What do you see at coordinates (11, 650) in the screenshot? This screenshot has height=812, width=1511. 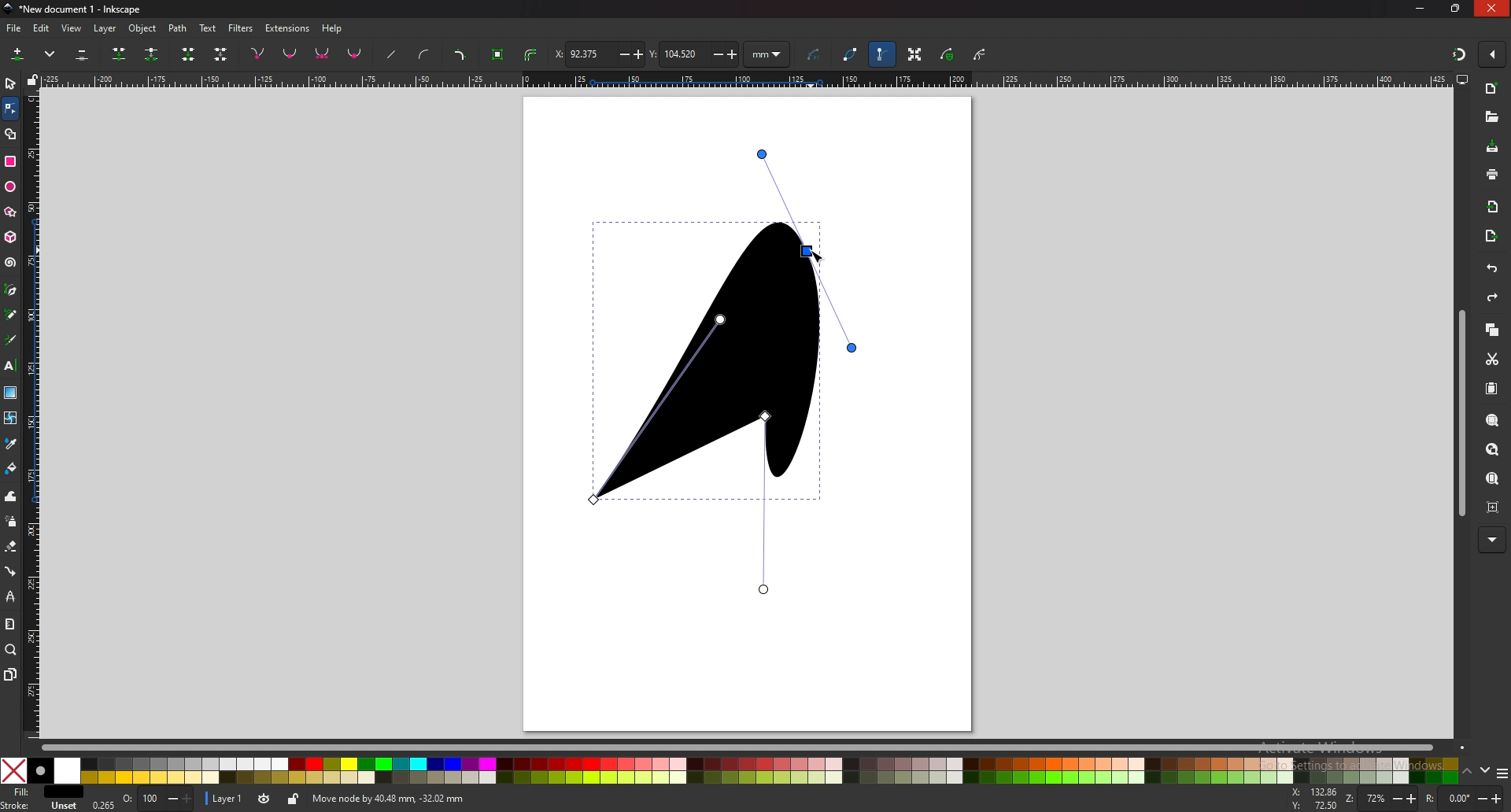 I see `zoom` at bounding box center [11, 650].